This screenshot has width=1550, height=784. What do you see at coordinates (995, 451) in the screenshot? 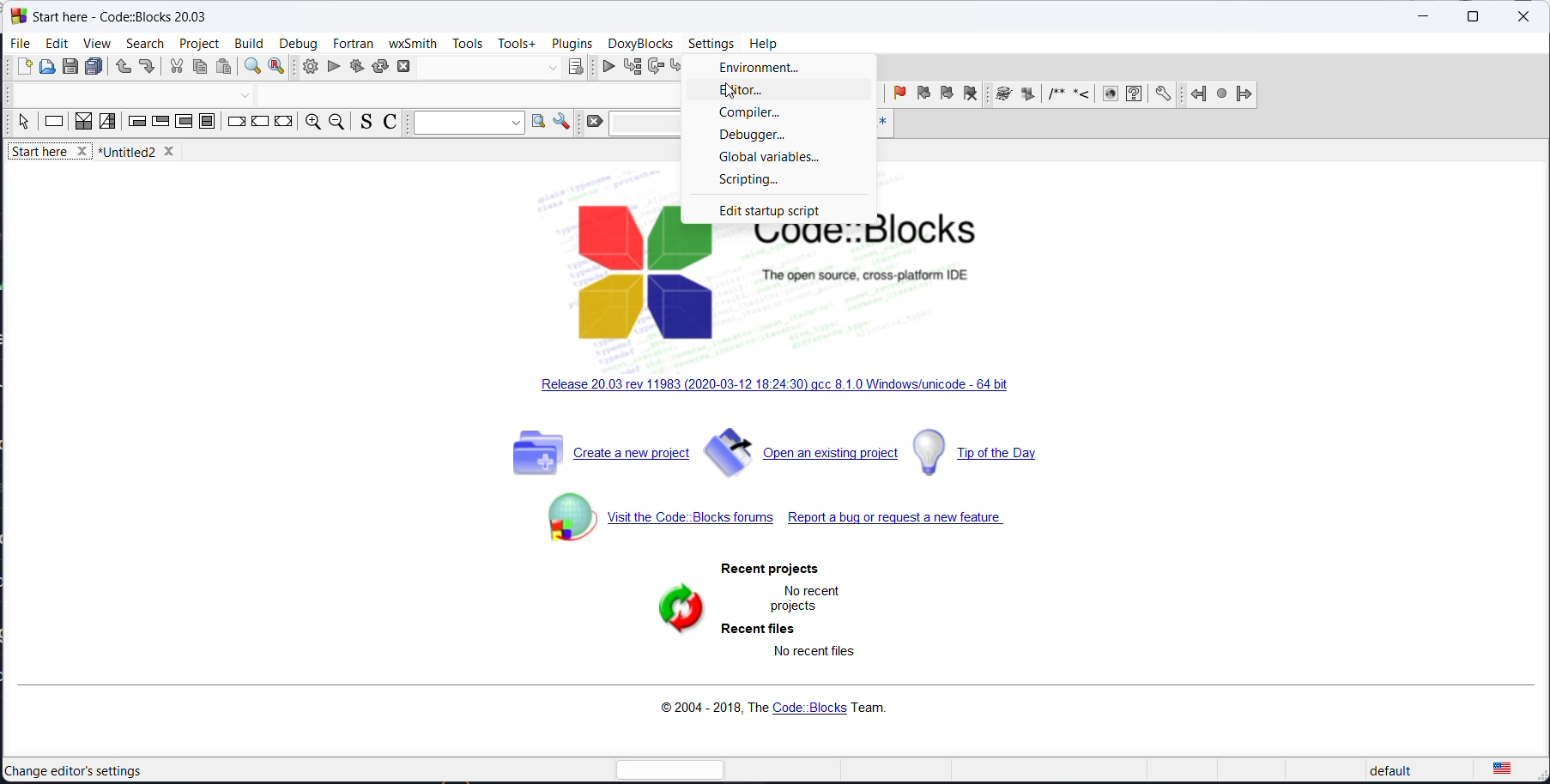
I see `tip of the day` at bounding box center [995, 451].